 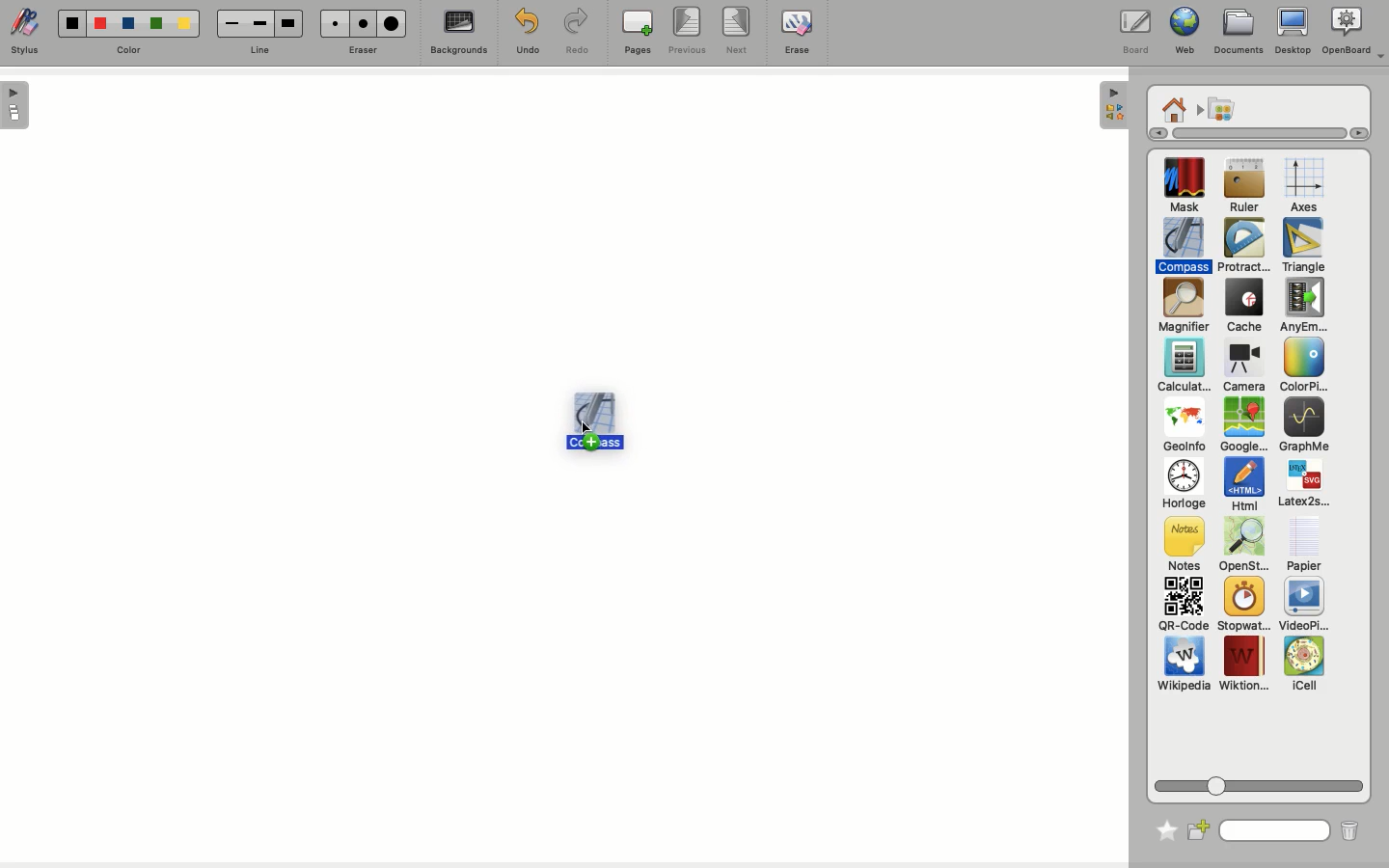 What do you see at coordinates (1181, 545) in the screenshot?
I see `Notes` at bounding box center [1181, 545].